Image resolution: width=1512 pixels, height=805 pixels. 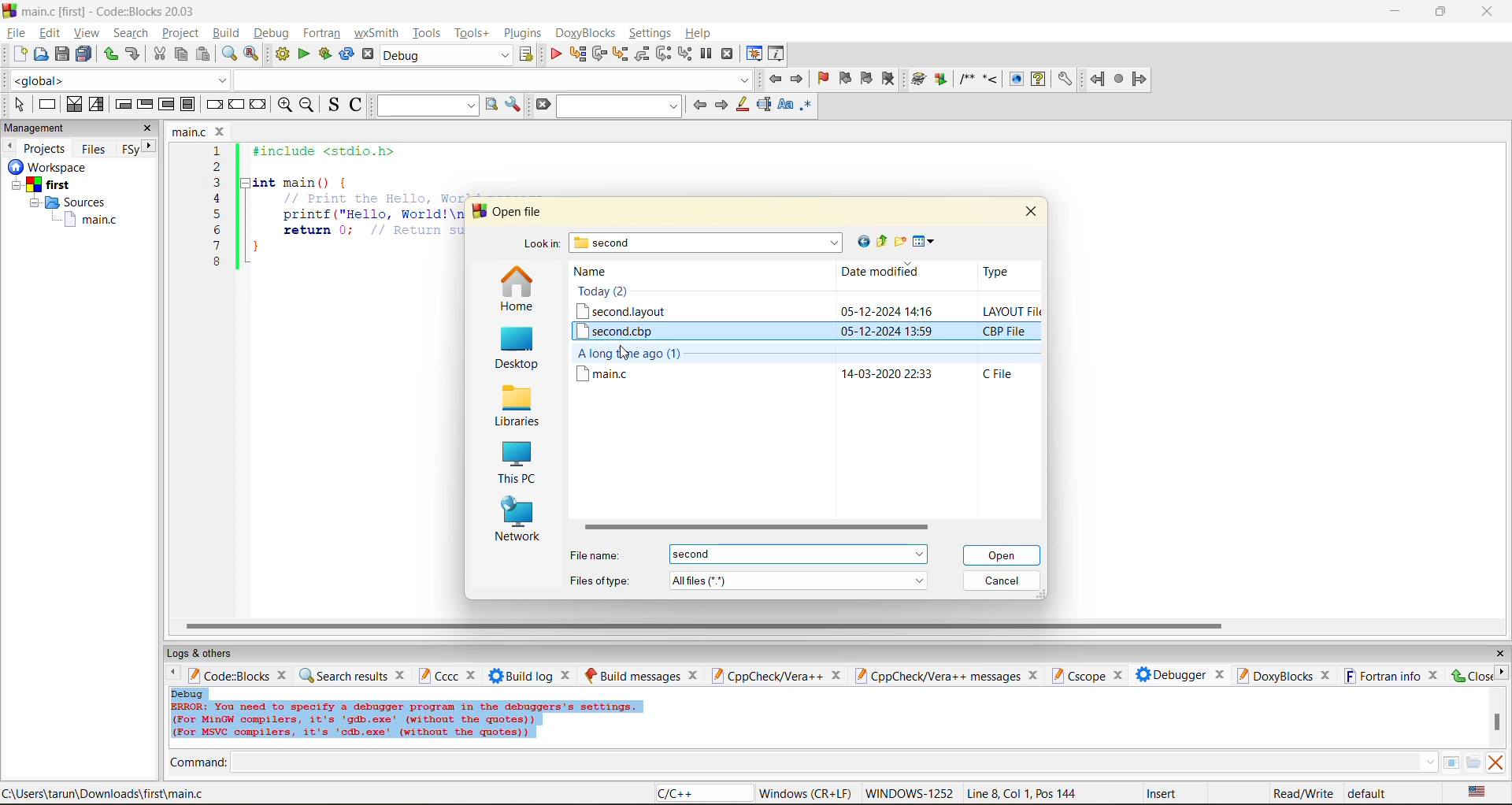 What do you see at coordinates (123, 104) in the screenshot?
I see `entry condition loop` at bounding box center [123, 104].